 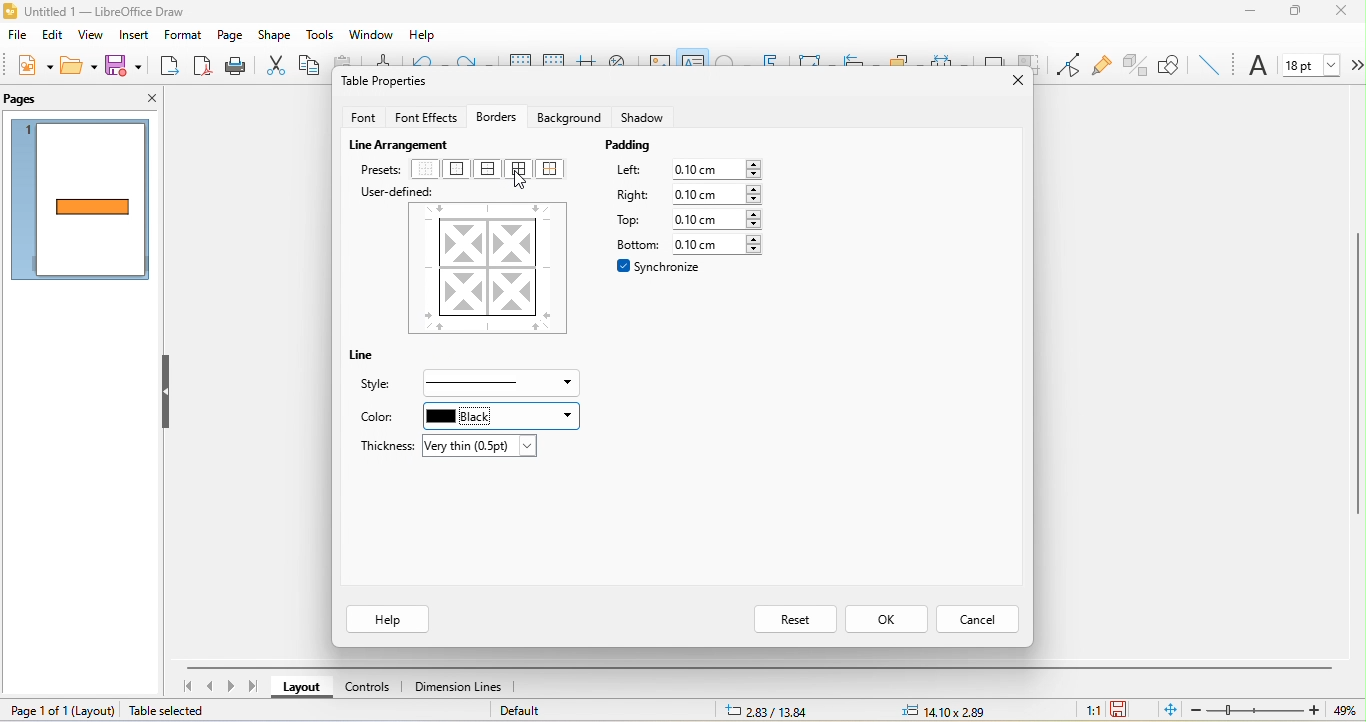 What do you see at coordinates (169, 67) in the screenshot?
I see `export` at bounding box center [169, 67].